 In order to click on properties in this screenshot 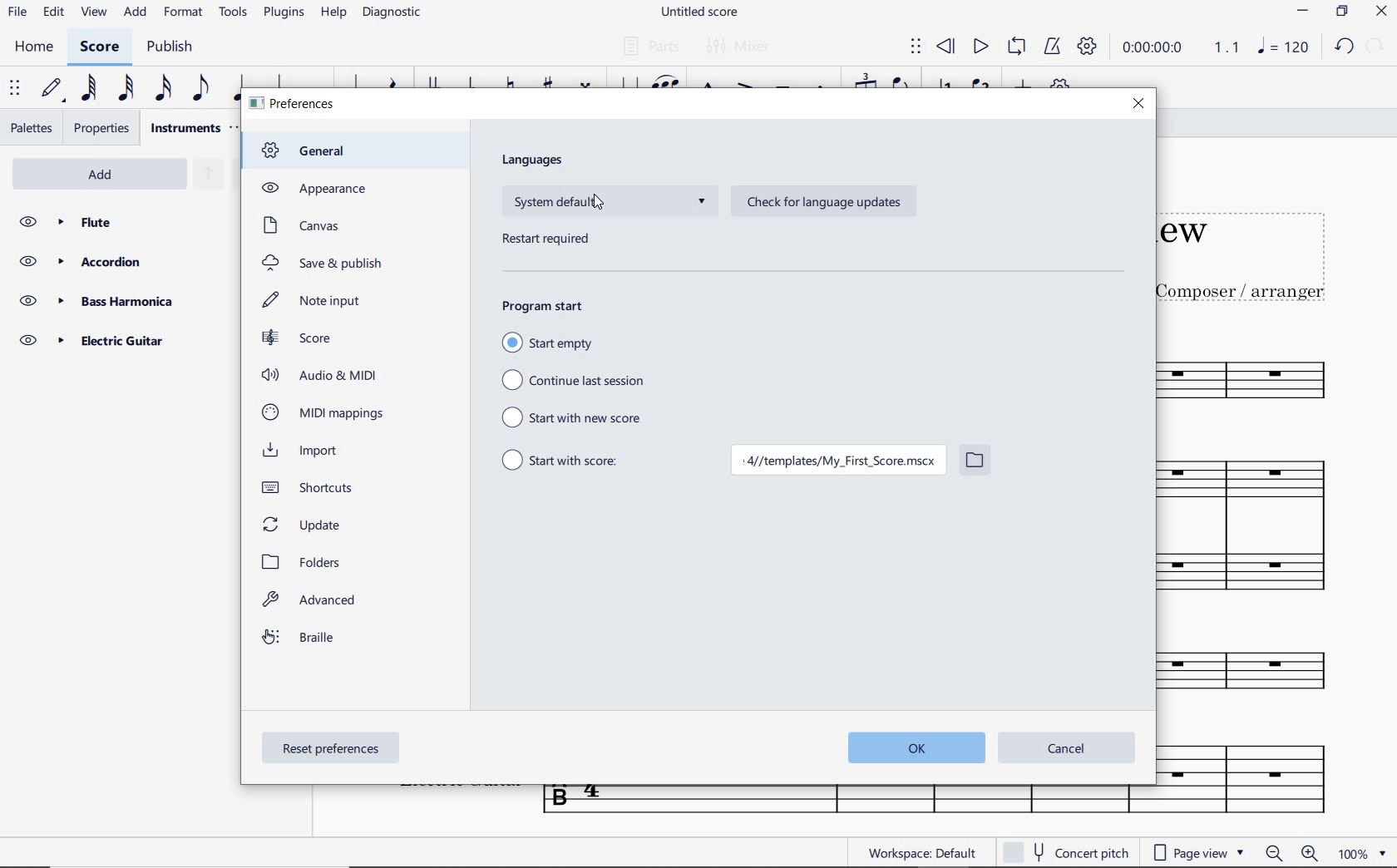, I will do `click(101, 128)`.